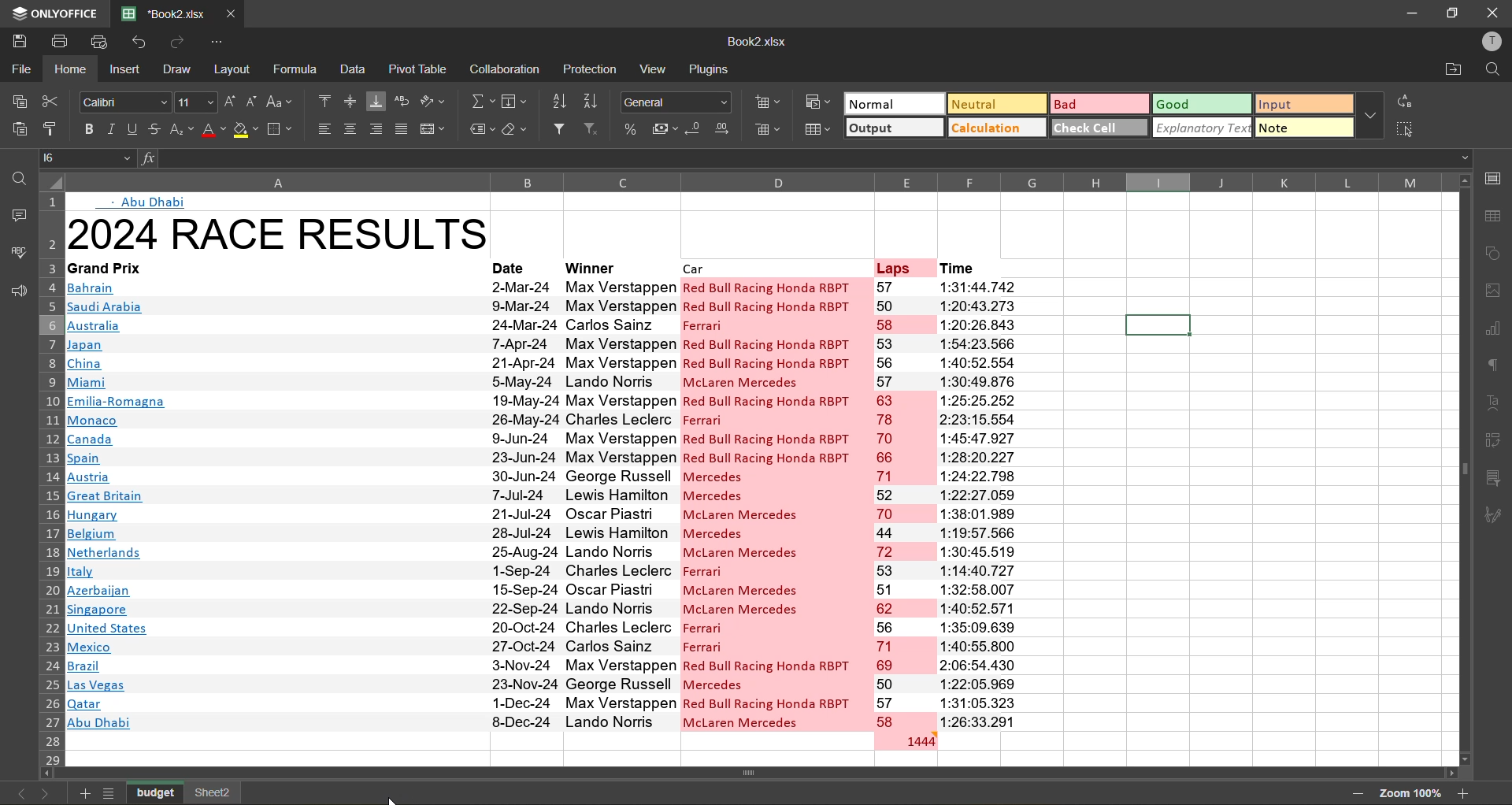 This screenshot has width=1512, height=805. I want to click on shapes, so click(1493, 251).